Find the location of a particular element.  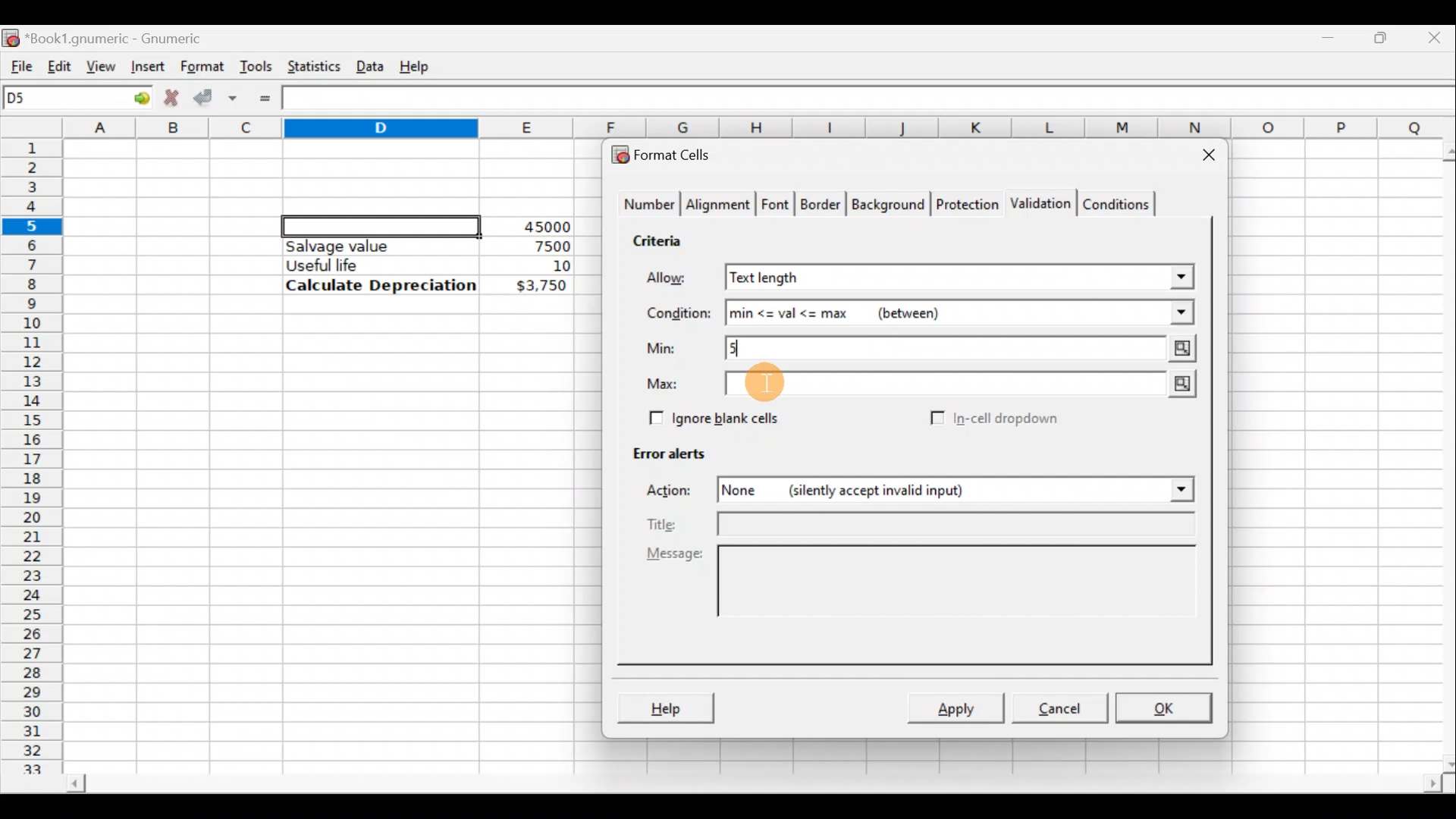

Edit is located at coordinates (59, 63).